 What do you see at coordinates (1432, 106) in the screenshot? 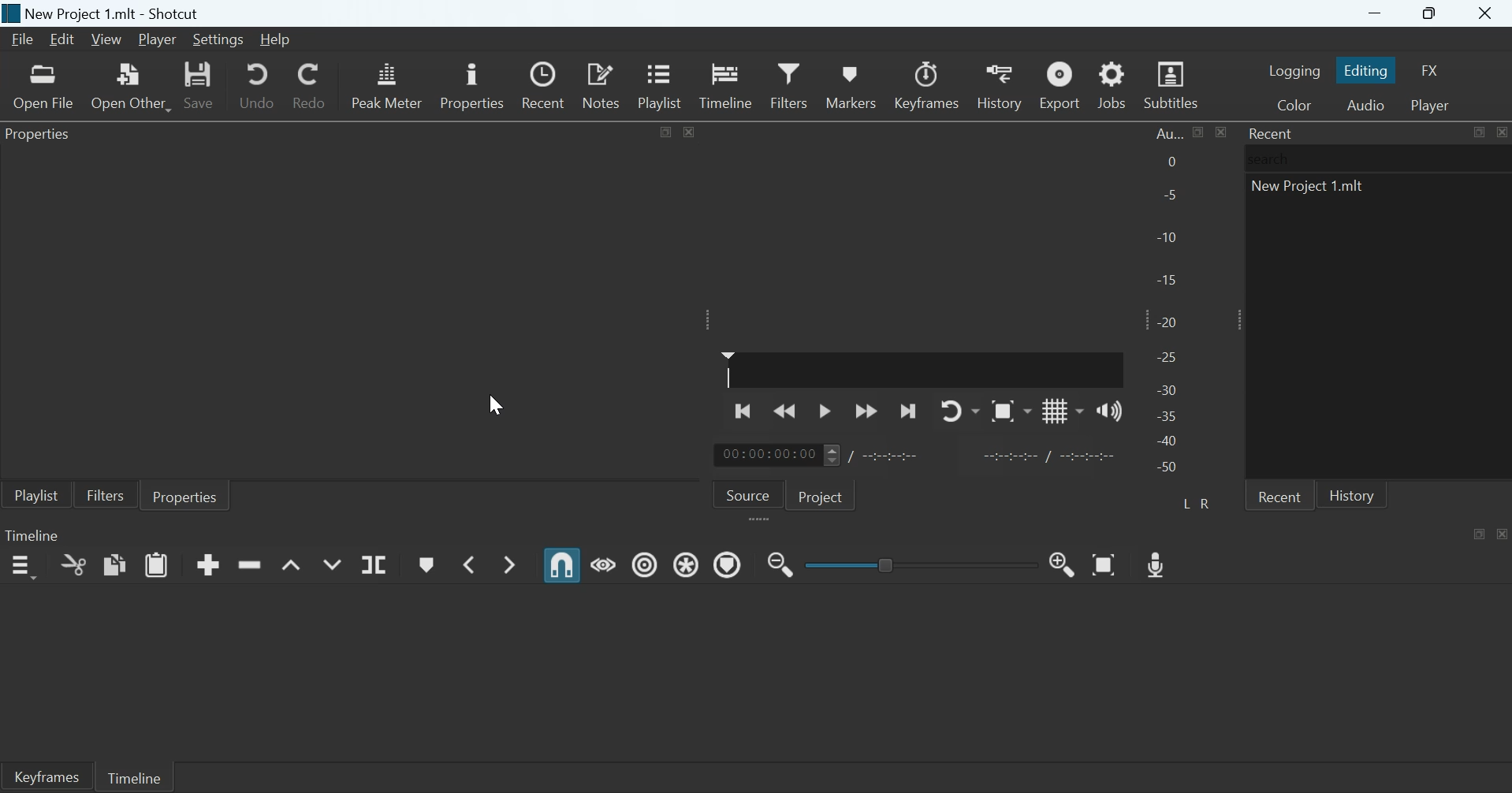
I see `Switch to the Player only layout` at bounding box center [1432, 106].